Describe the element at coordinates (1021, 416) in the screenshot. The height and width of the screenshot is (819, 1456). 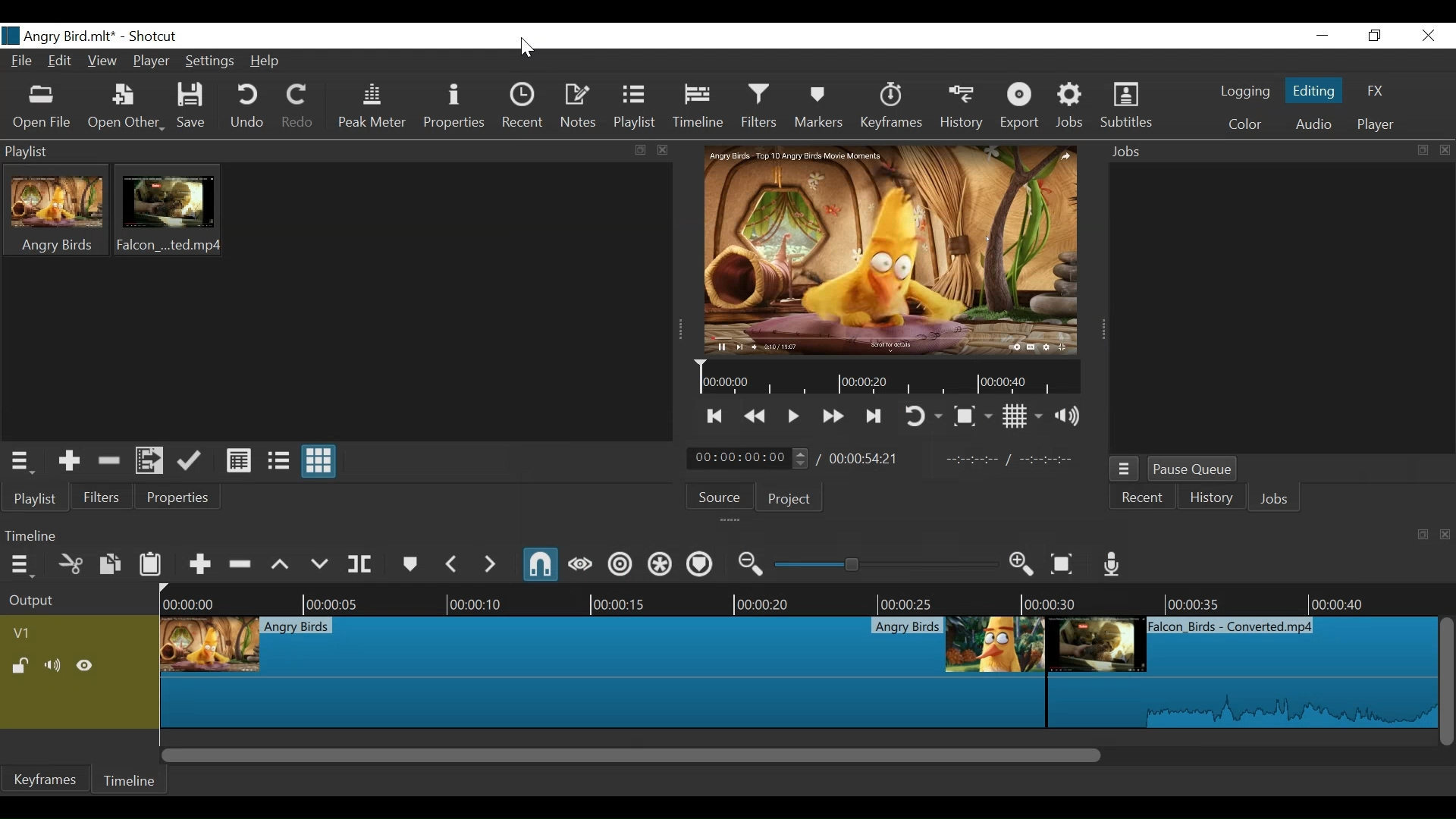
I see `Toggle display grid on player` at that location.